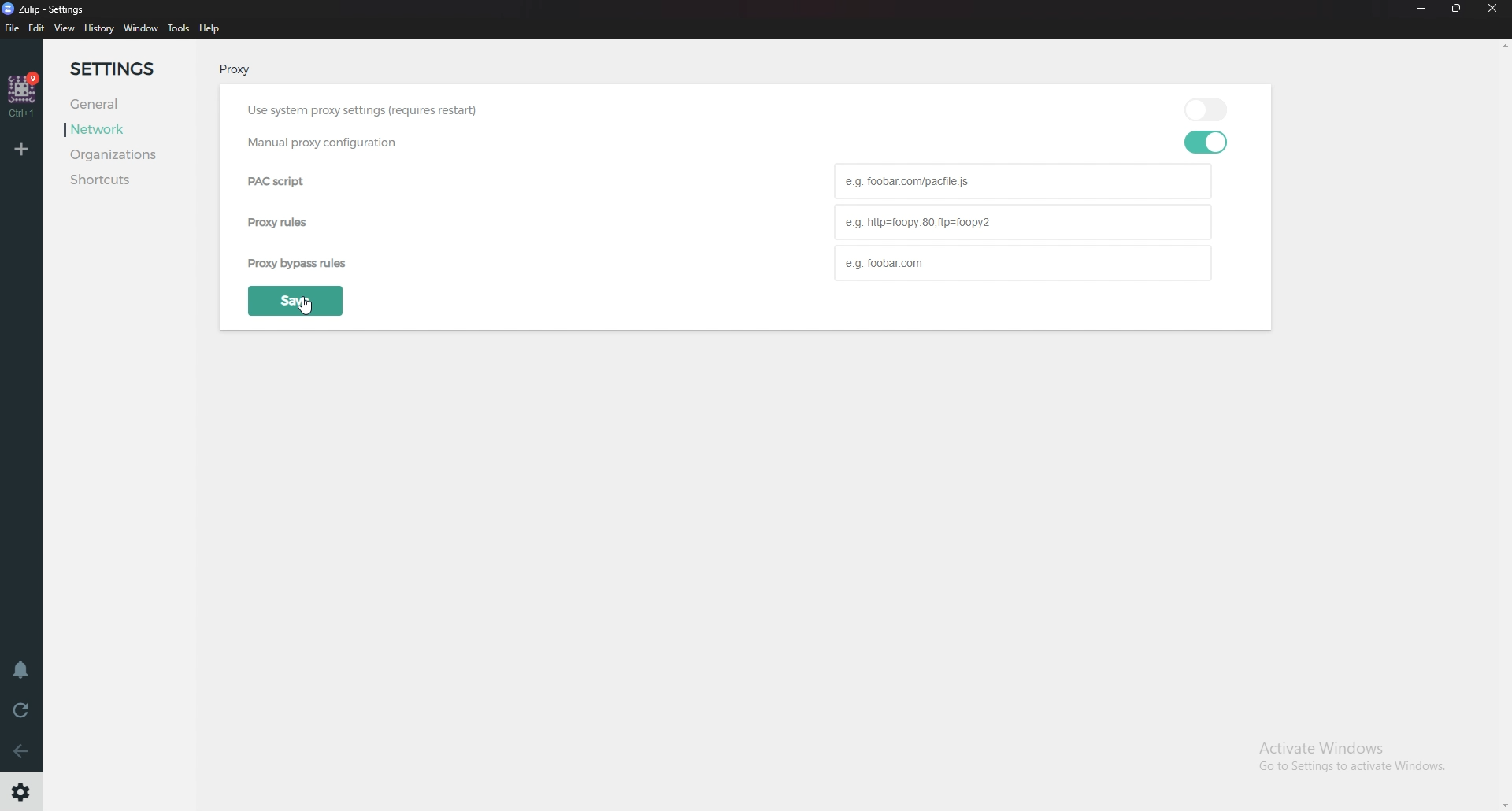 This screenshot has height=811, width=1512. I want to click on Enable do not disturb, so click(22, 670).